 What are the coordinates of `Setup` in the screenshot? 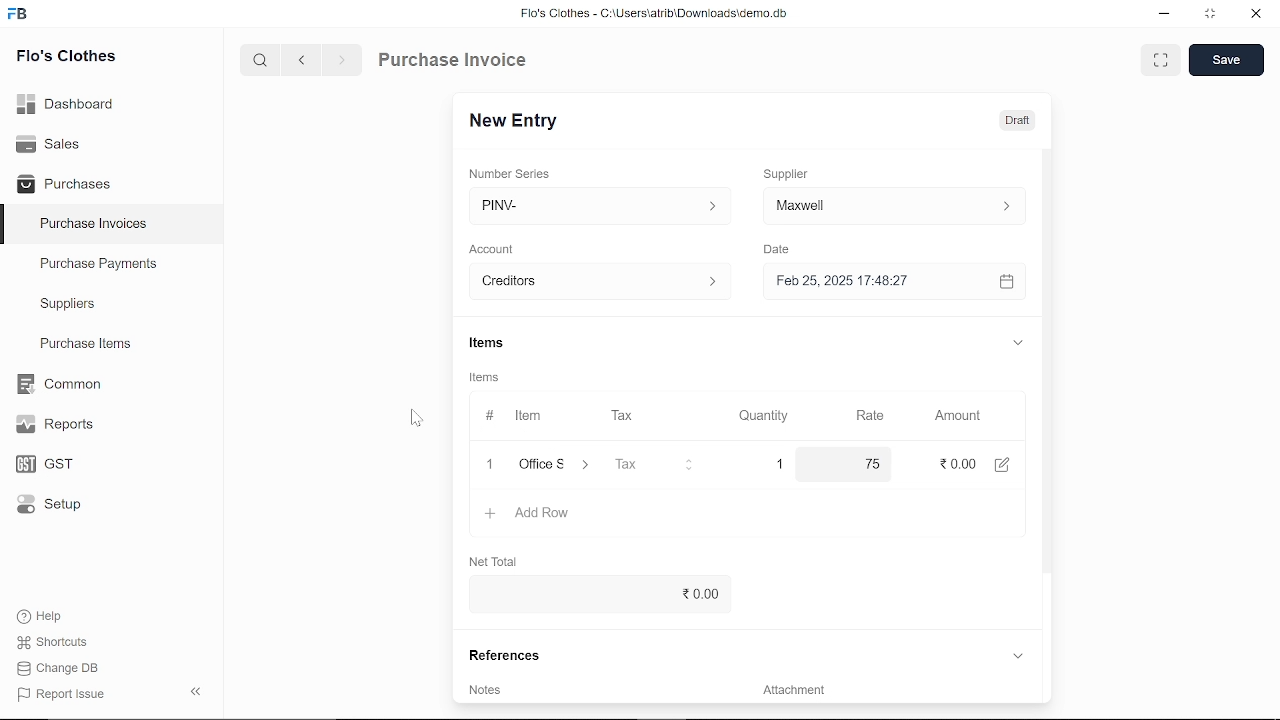 It's located at (44, 508).